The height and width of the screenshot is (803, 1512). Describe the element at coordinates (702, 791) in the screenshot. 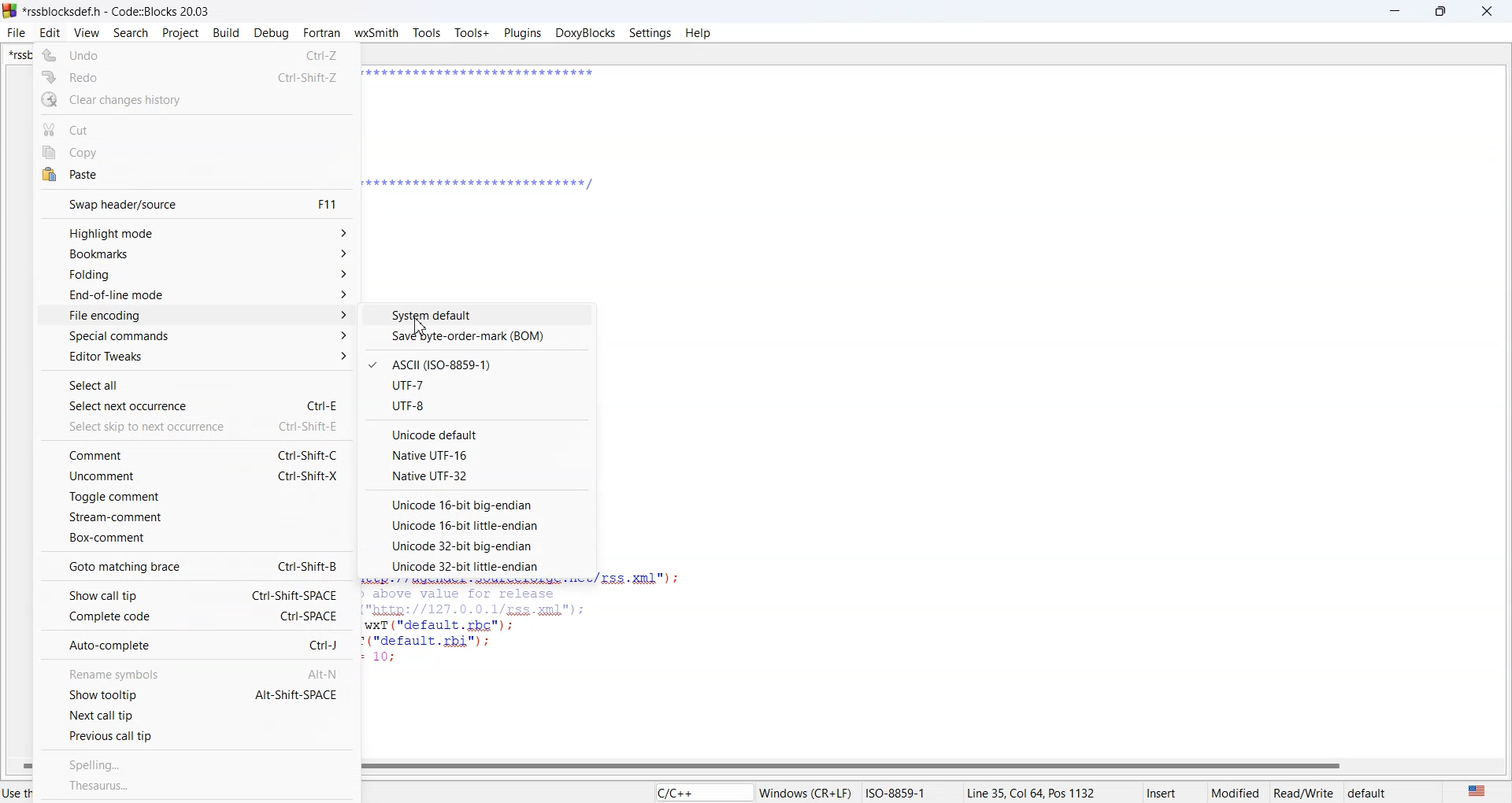

I see `Code language indicator` at that location.